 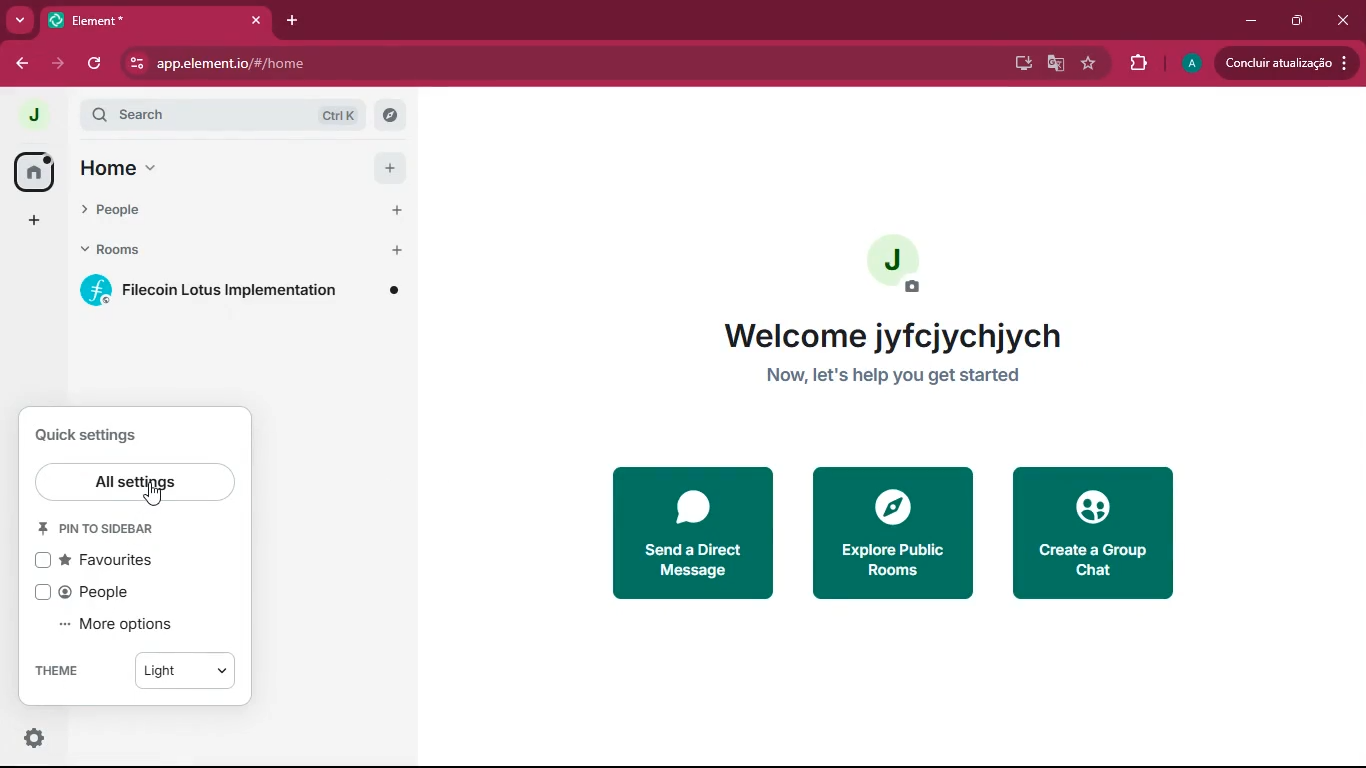 What do you see at coordinates (223, 114) in the screenshot?
I see `search` at bounding box center [223, 114].